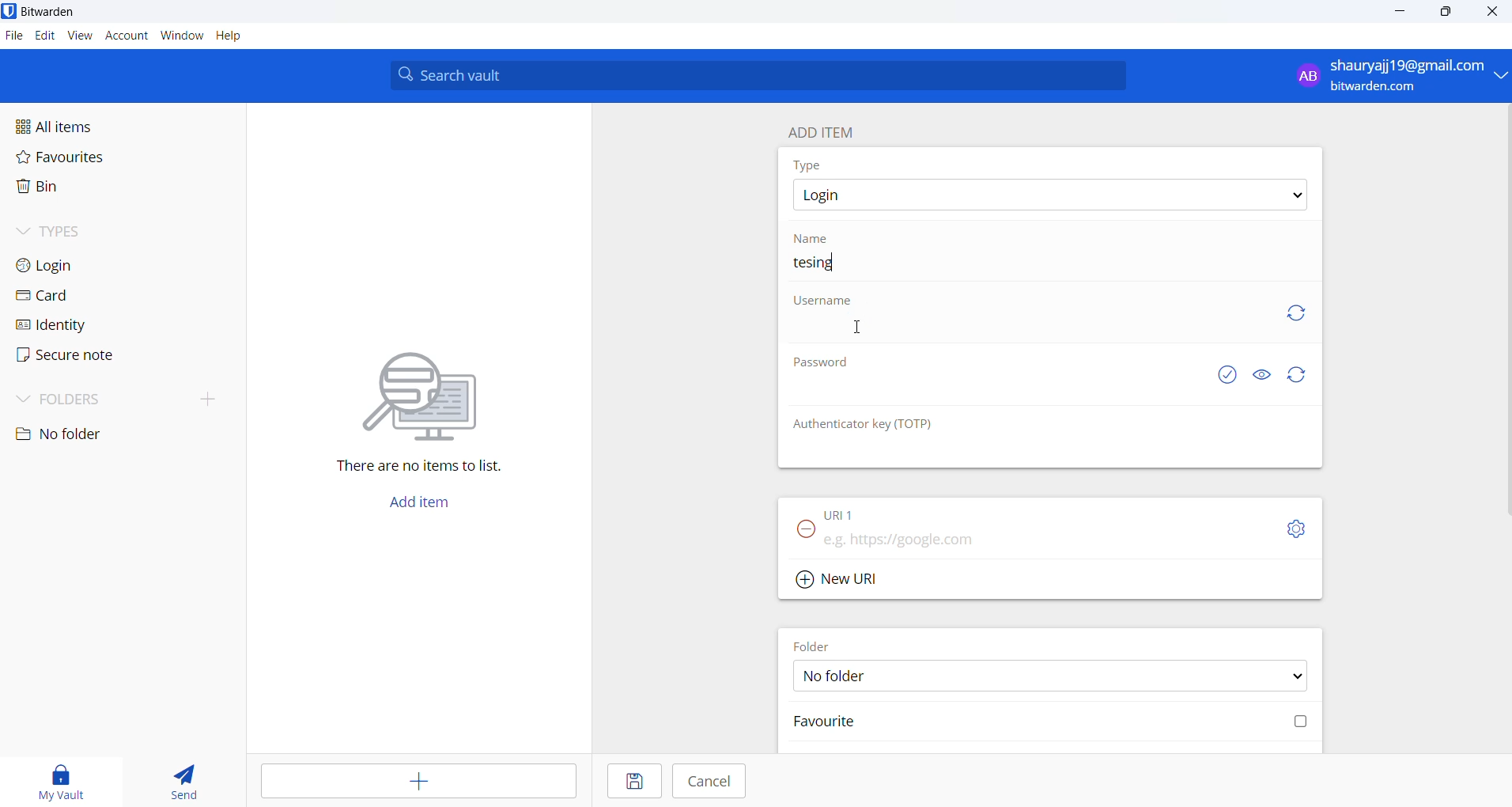 The image size is (1512, 807). Describe the element at coordinates (80, 39) in the screenshot. I see `view` at that location.